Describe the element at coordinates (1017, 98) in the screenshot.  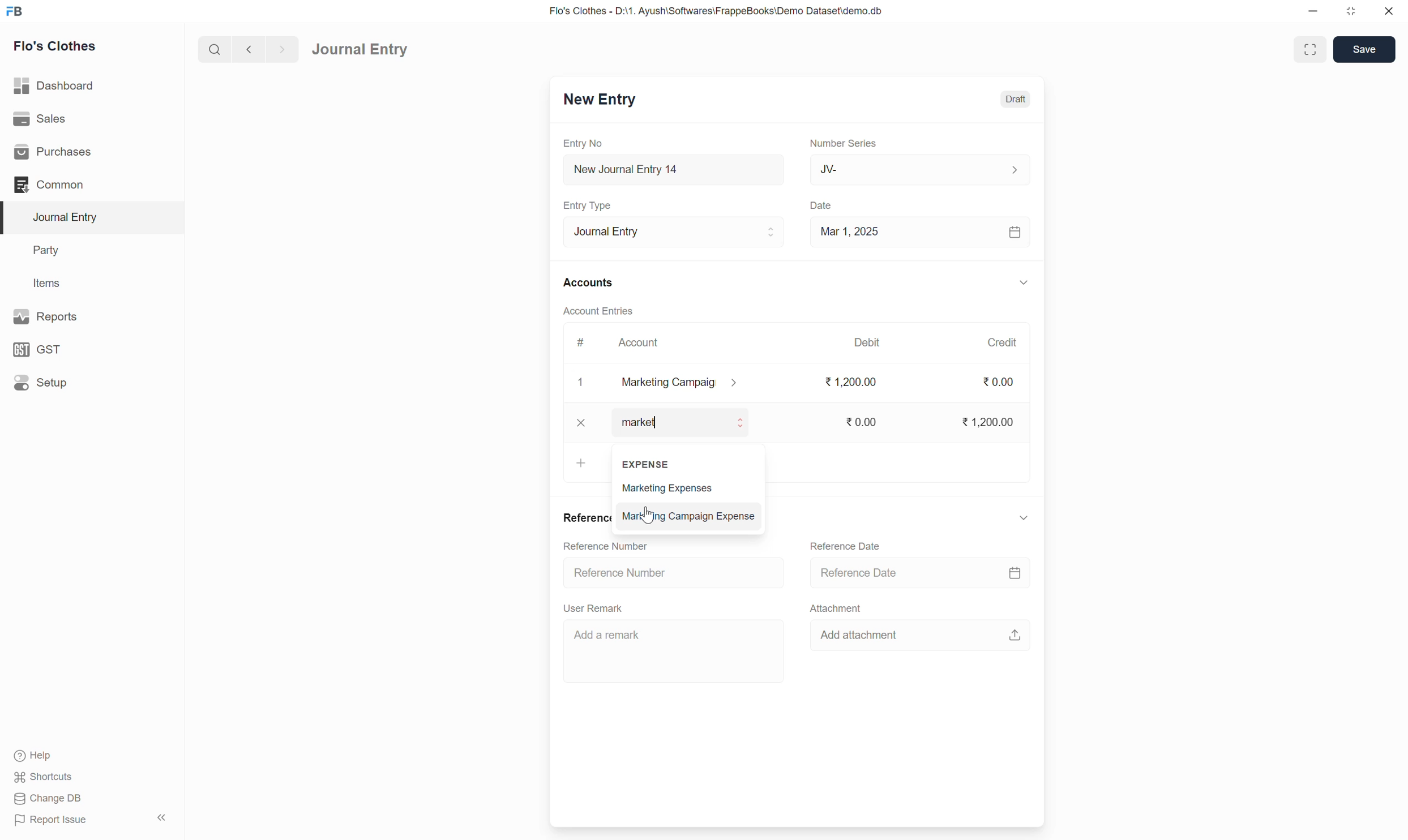
I see `Draft` at that location.